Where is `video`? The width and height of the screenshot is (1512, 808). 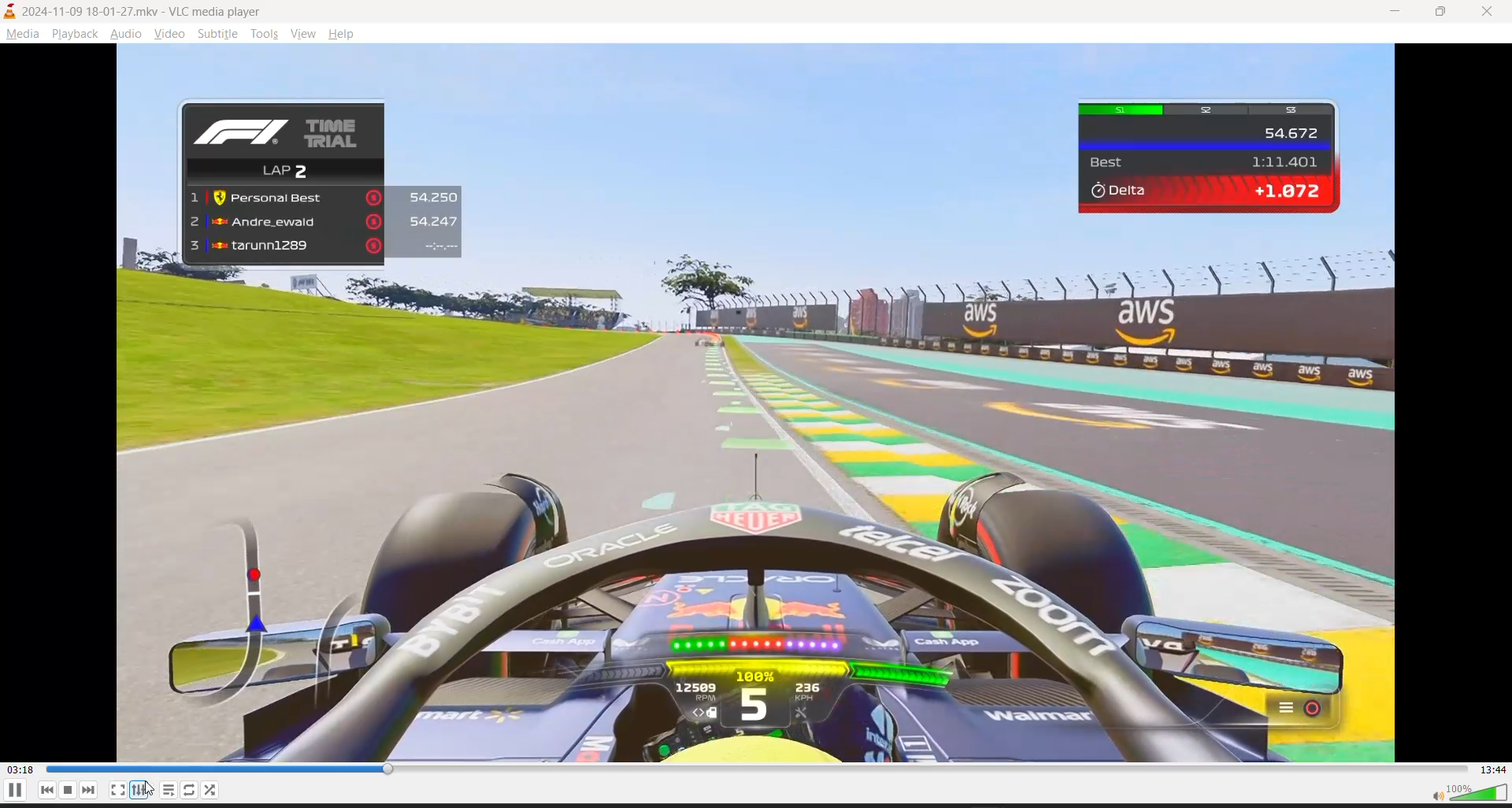 video is located at coordinates (169, 32).